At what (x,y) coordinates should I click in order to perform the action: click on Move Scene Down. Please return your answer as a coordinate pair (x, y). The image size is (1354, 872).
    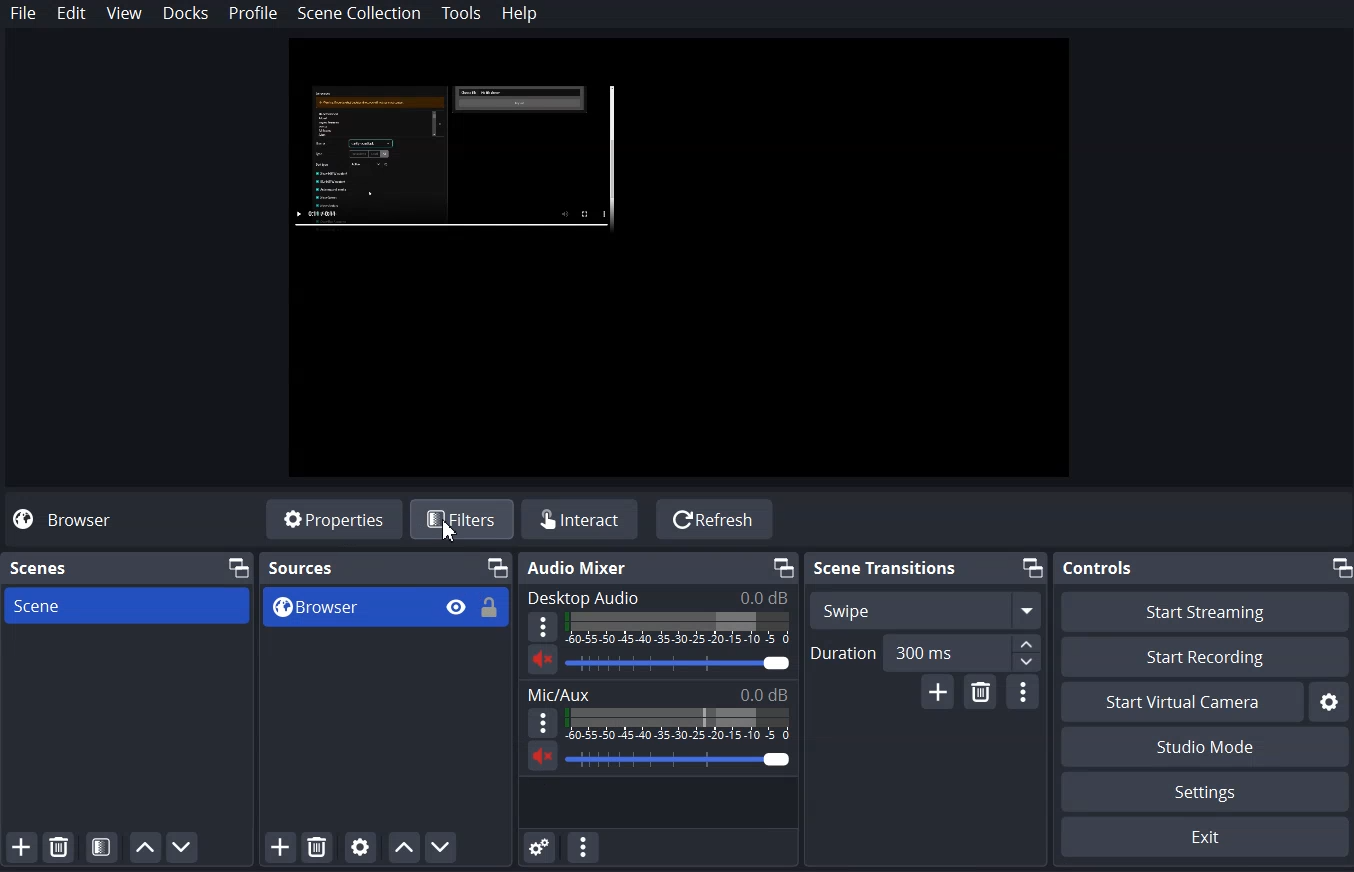
    Looking at the image, I should click on (182, 847).